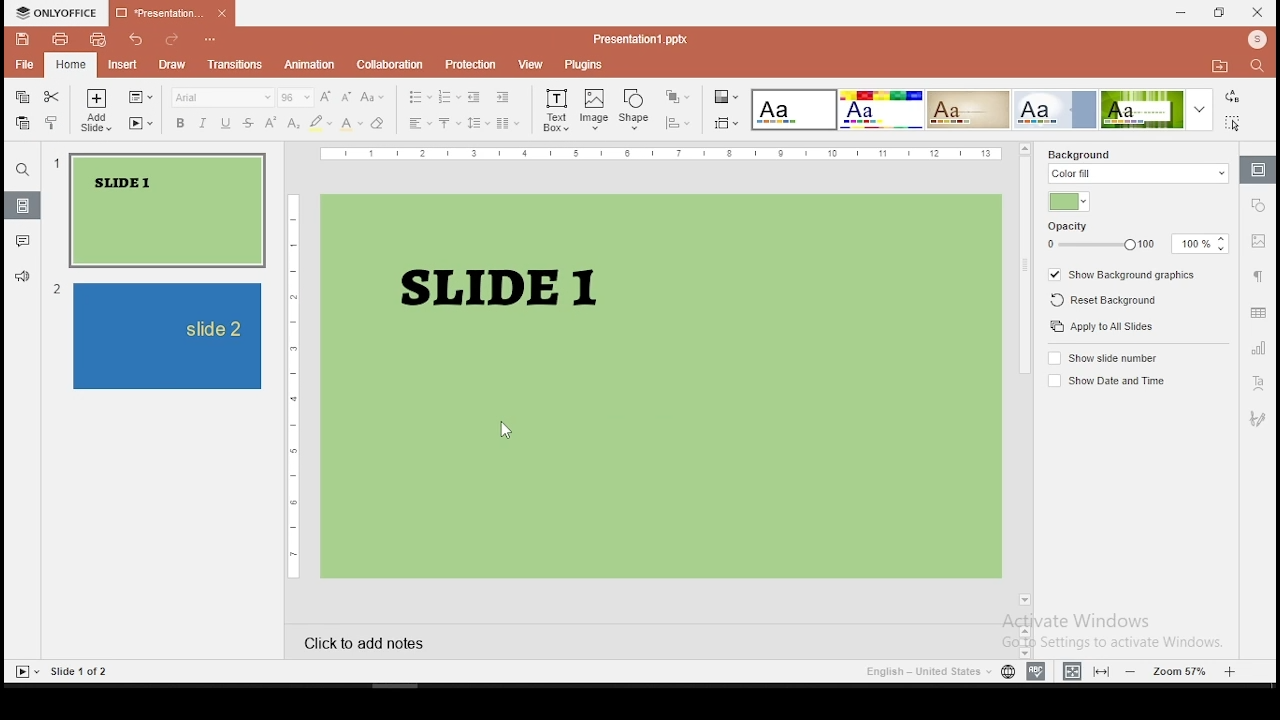 Image resolution: width=1280 pixels, height=720 pixels. I want to click on increase indent, so click(502, 97).